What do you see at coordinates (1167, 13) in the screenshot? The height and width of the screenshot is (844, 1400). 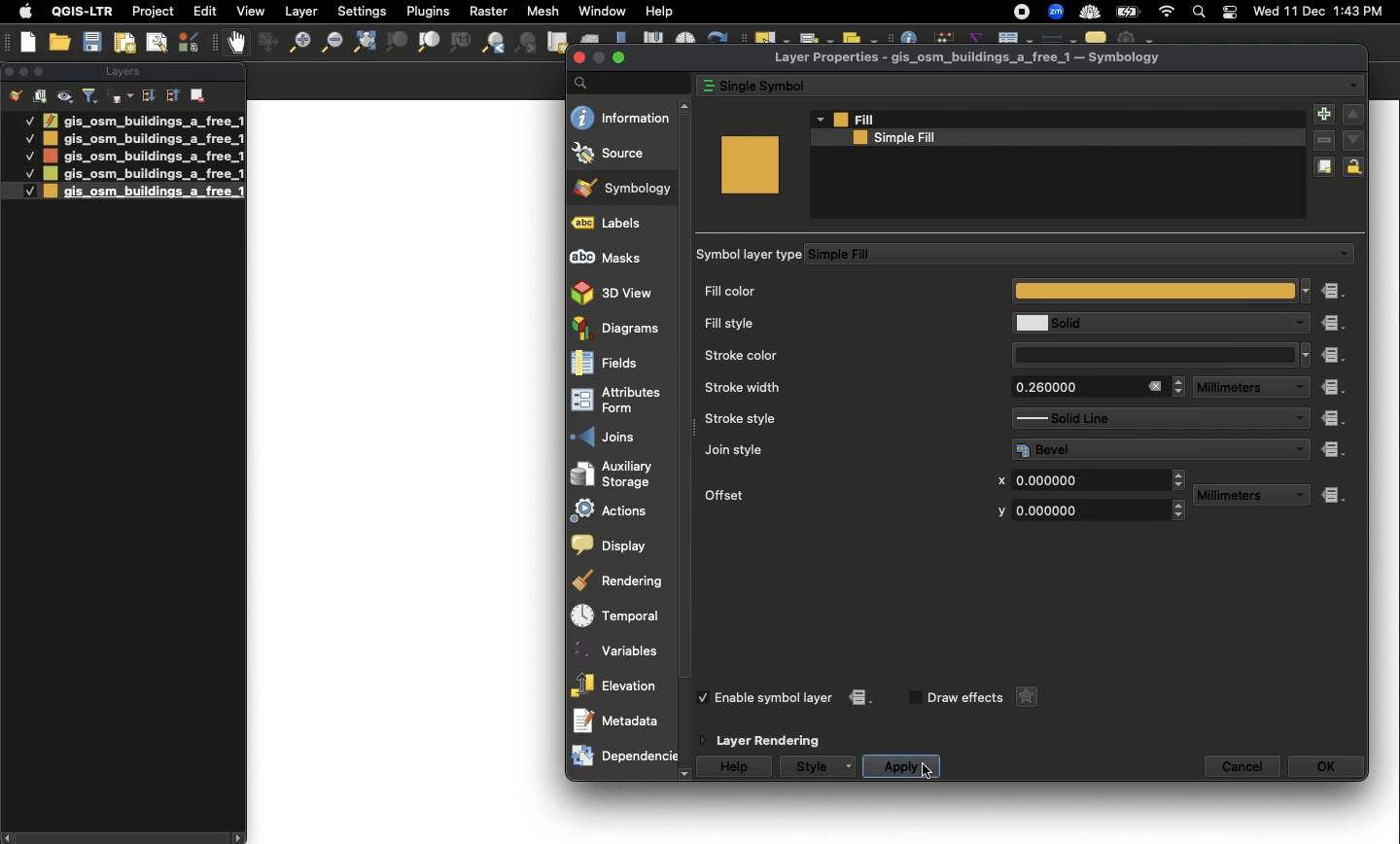 I see `Wif` at bounding box center [1167, 13].